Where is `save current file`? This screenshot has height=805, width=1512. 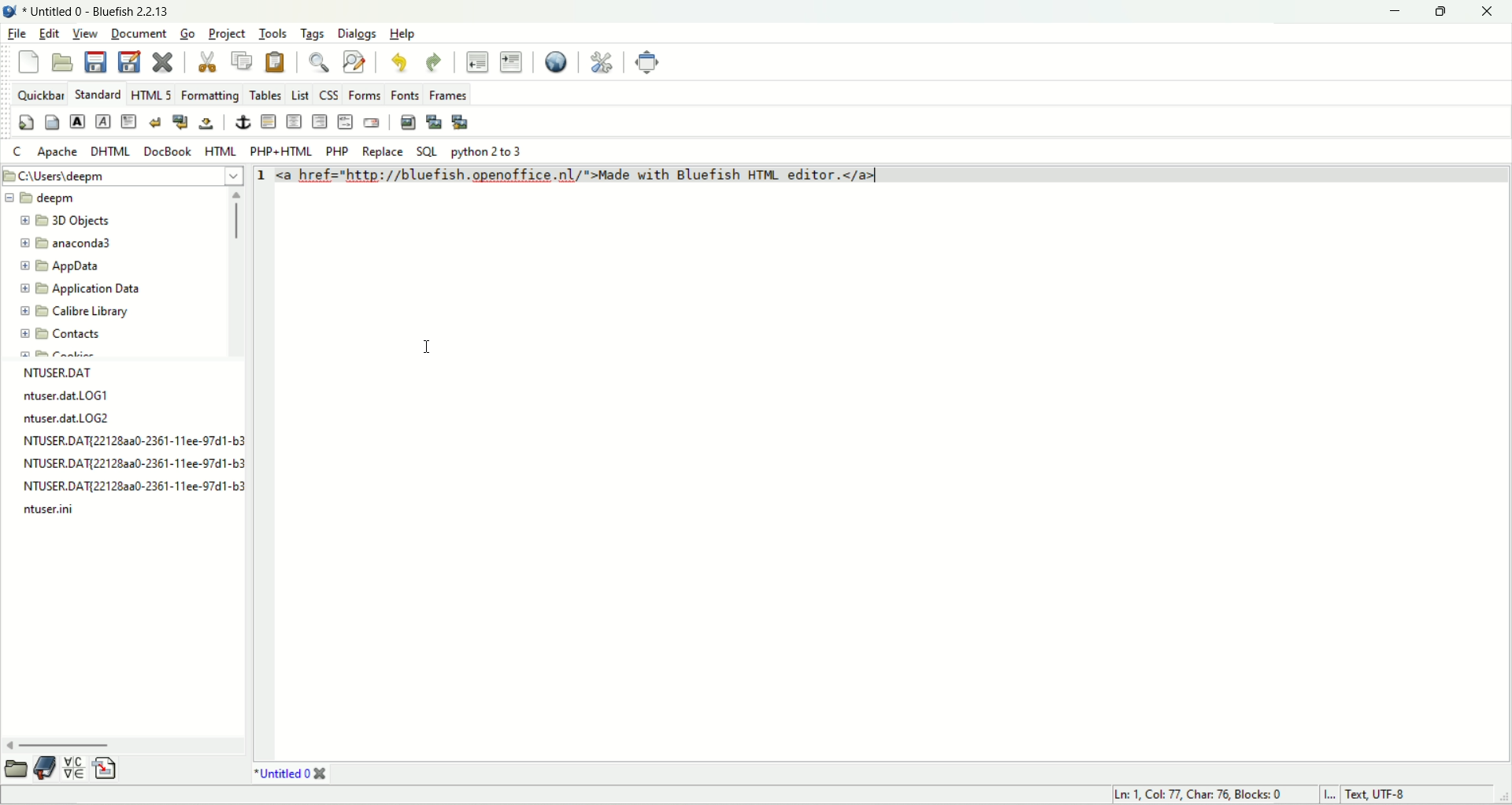 save current file is located at coordinates (95, 63).